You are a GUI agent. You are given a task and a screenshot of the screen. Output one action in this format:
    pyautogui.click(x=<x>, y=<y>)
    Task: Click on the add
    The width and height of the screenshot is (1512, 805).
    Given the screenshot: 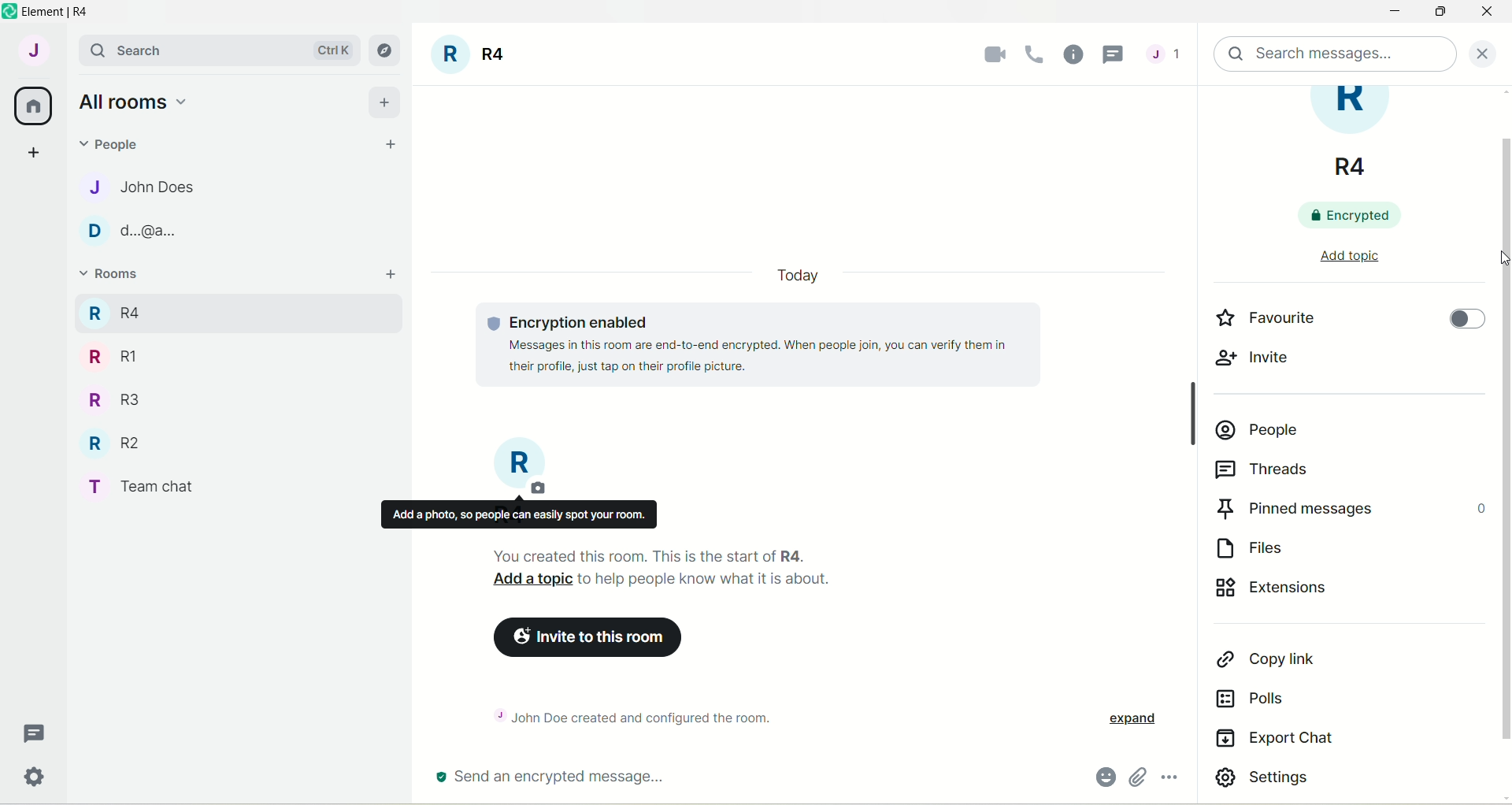 What is the action you would take?
    pyautogui.click(x=385, y=100)
    